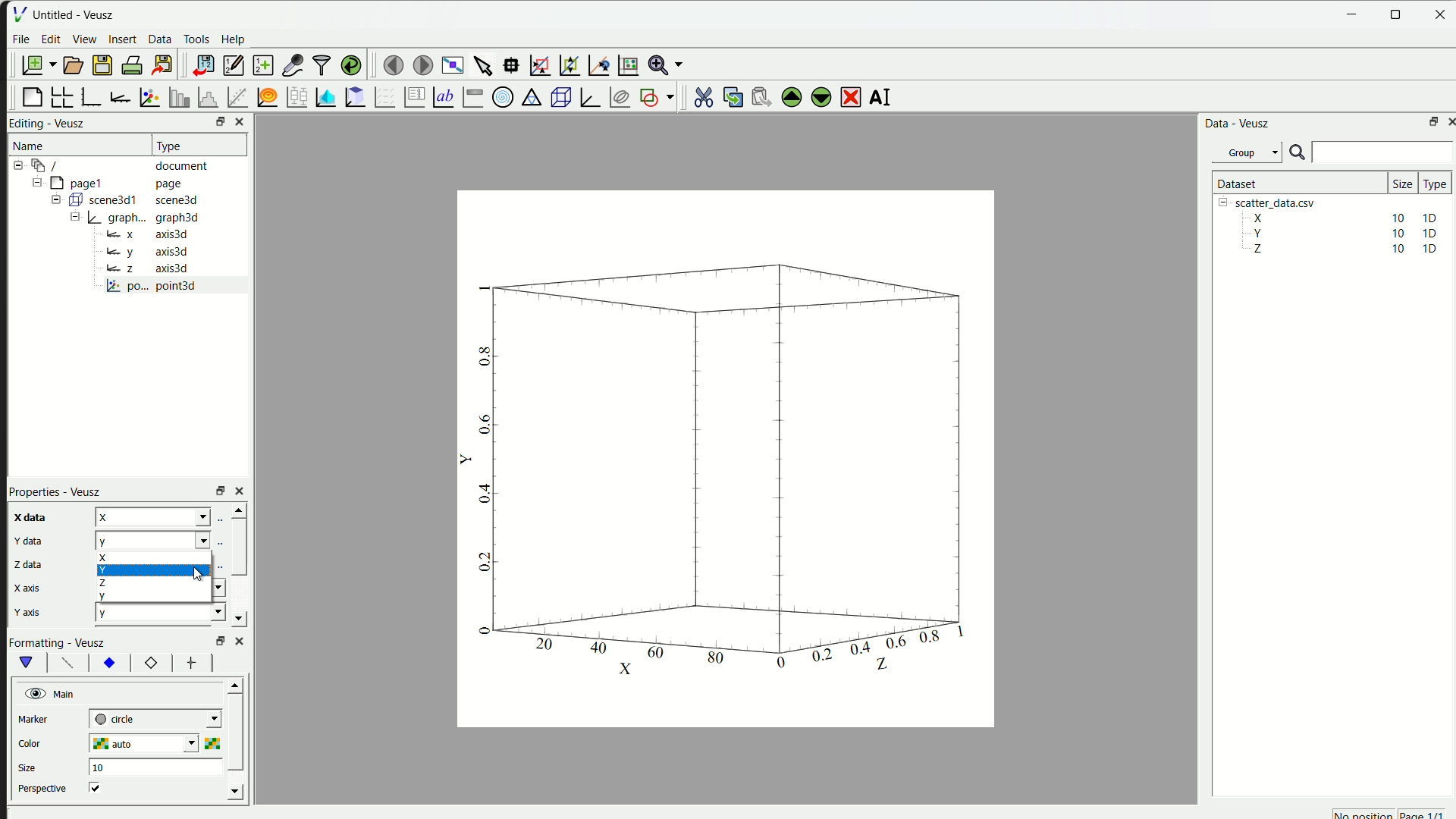  What do you see at coordinates (31, 765) in the screenshot?
I see `size` at bounding box center [31, 765].